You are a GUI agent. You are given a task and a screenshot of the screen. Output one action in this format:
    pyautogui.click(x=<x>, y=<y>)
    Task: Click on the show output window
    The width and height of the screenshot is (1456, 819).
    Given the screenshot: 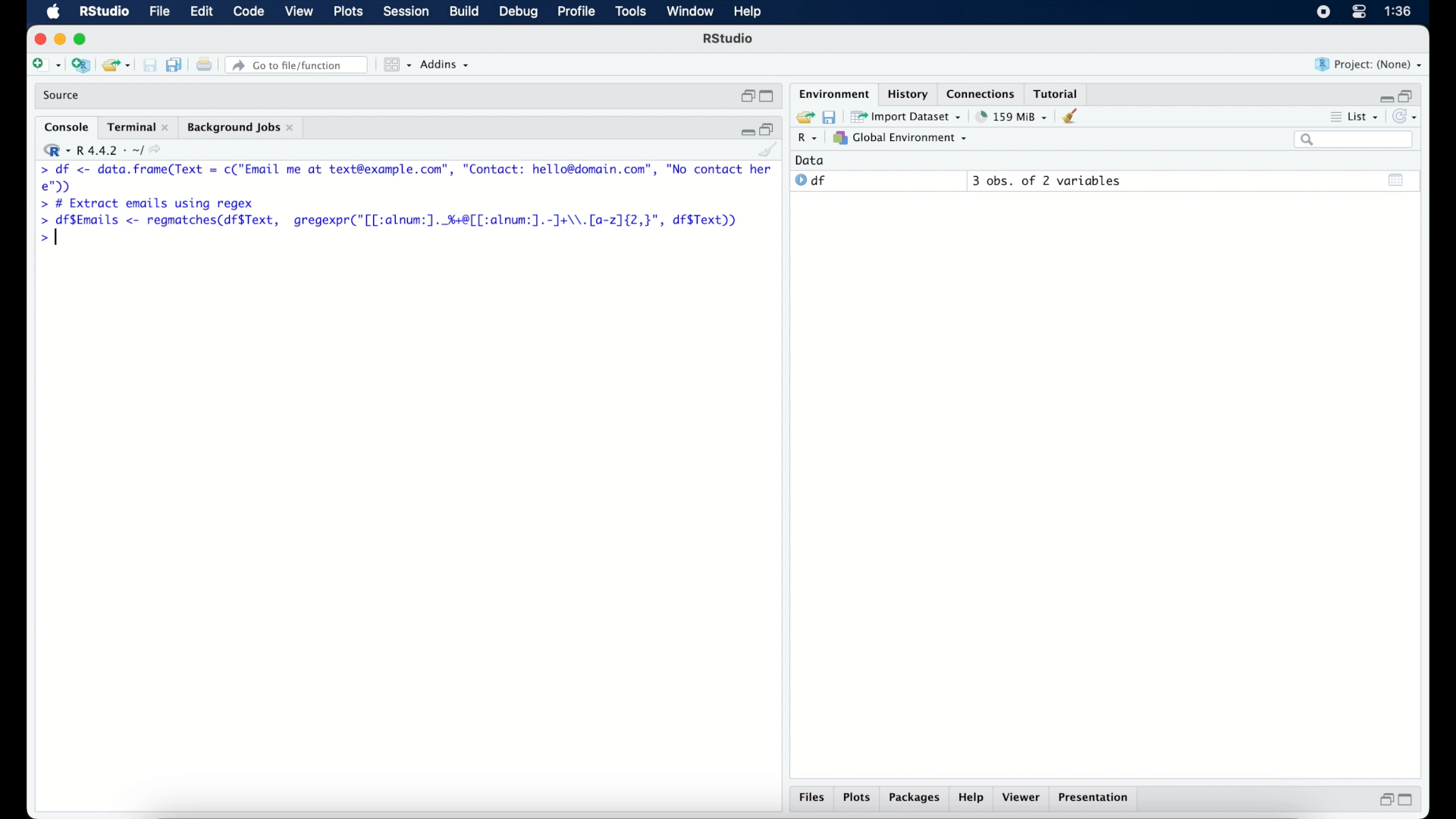 What is the action you would take?
    pyautogui.click(x=1396, y=181)
    